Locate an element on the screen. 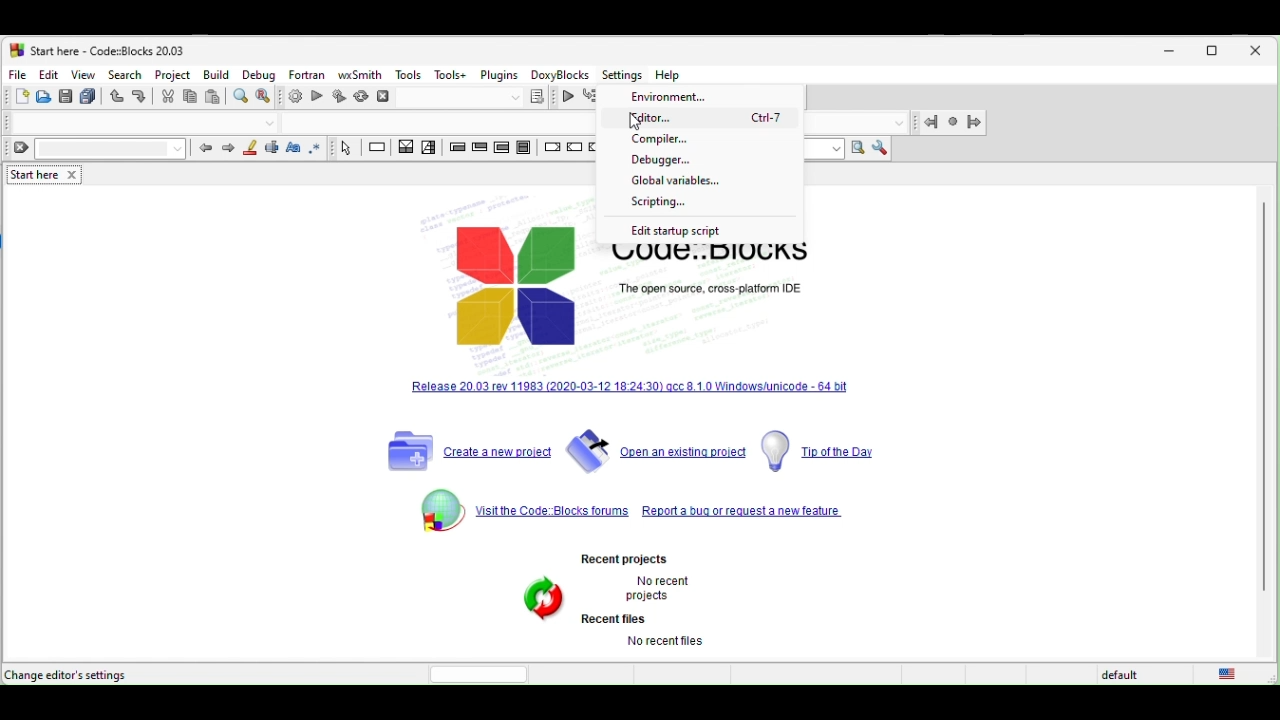 This screenshot has width=1280, height=720. wxsmith is located at coordinates (361, 74).